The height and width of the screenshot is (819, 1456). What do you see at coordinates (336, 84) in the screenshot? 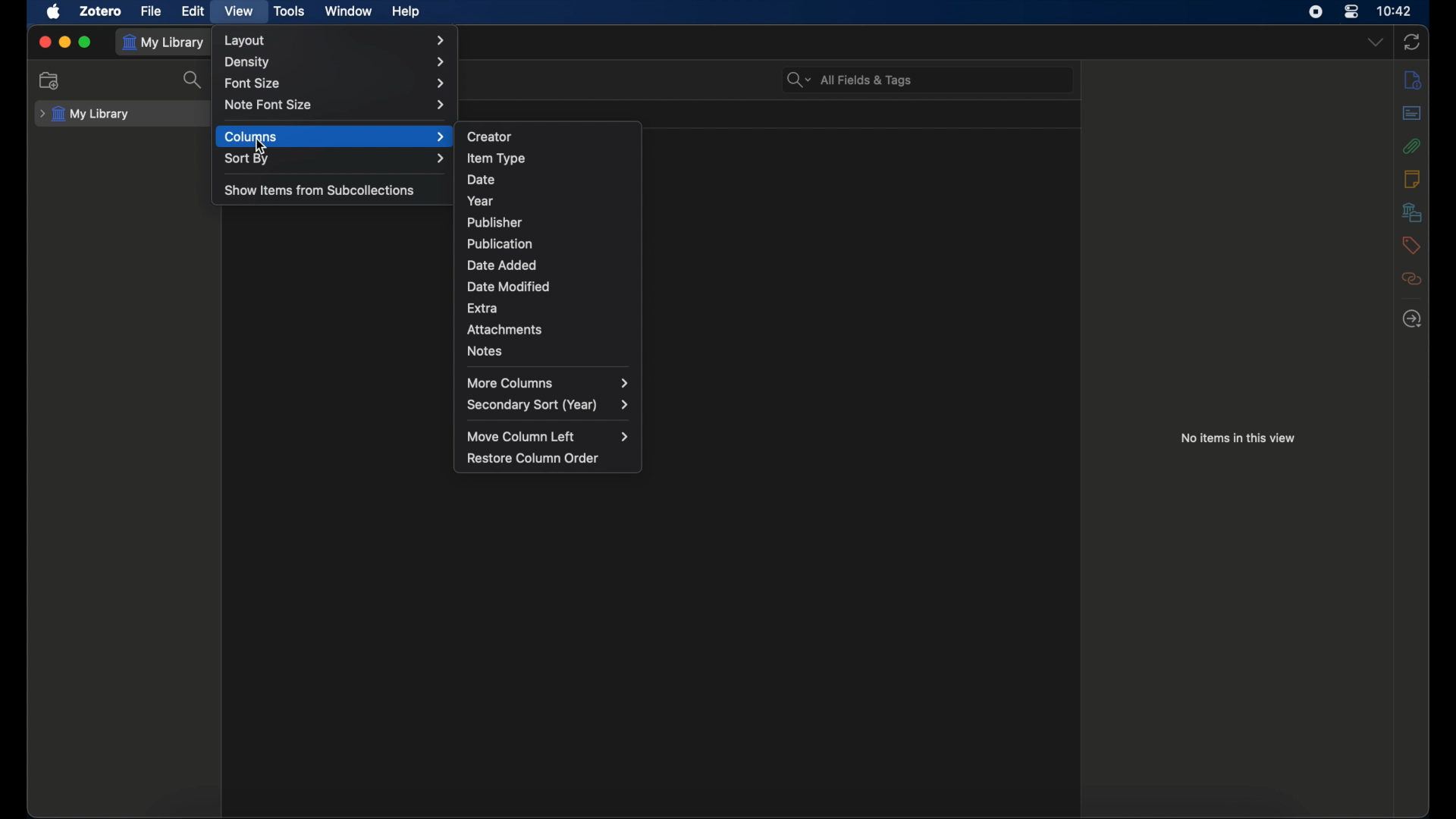
I see `font size` at bounding box center [336, 84].